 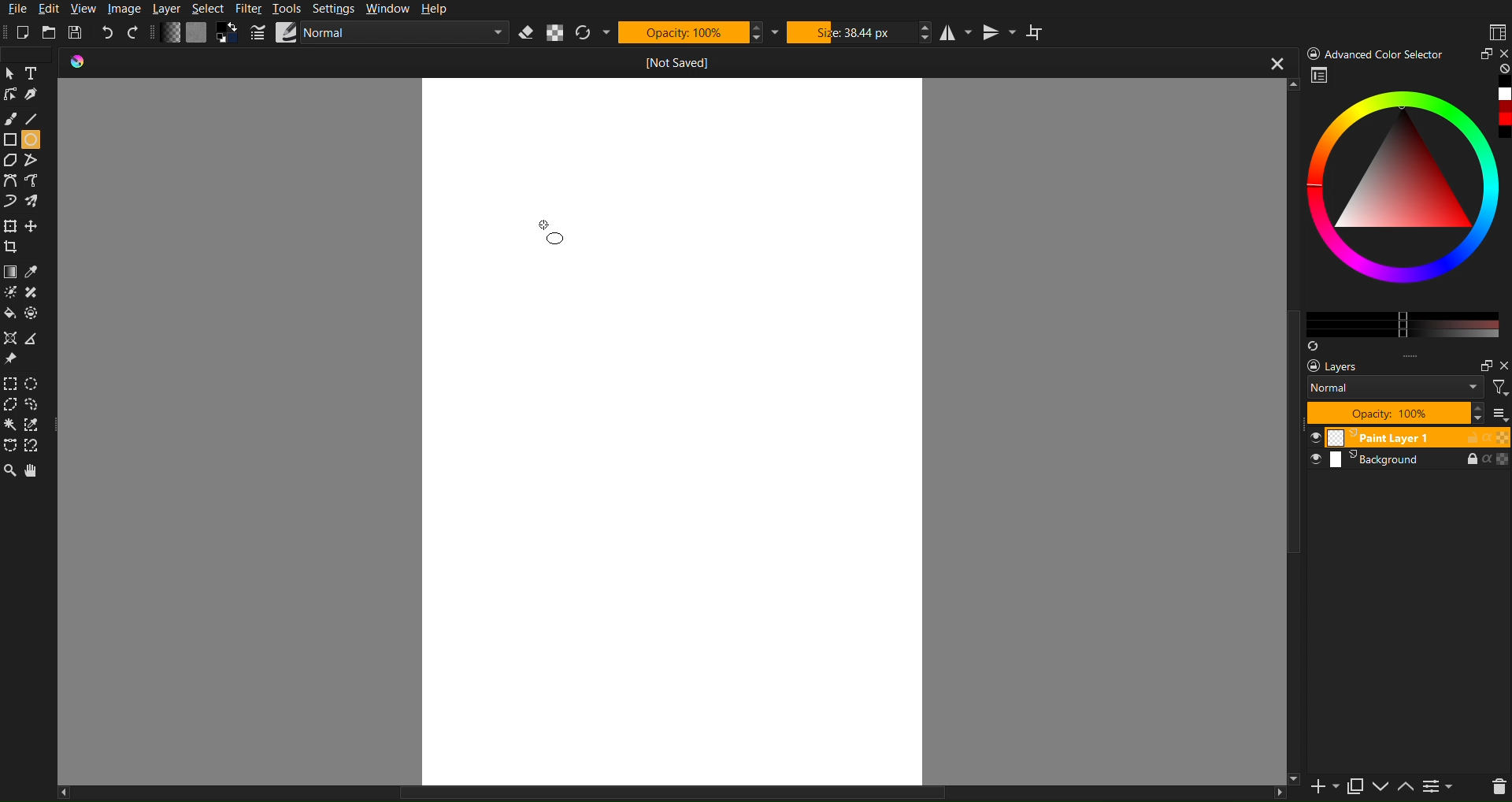 I want to click on Open, so click(x=54, y=31).